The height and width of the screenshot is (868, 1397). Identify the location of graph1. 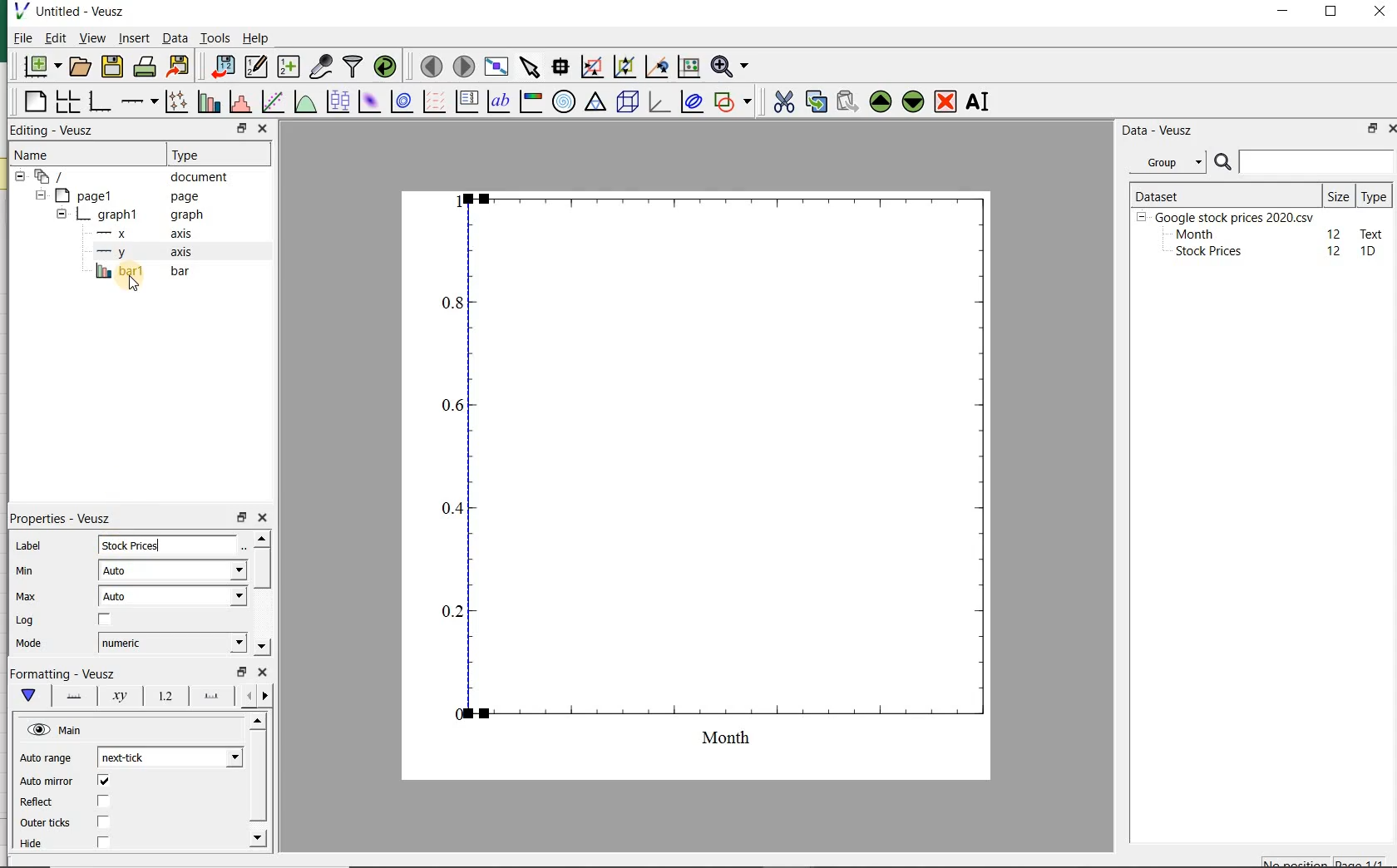
(127, 216).